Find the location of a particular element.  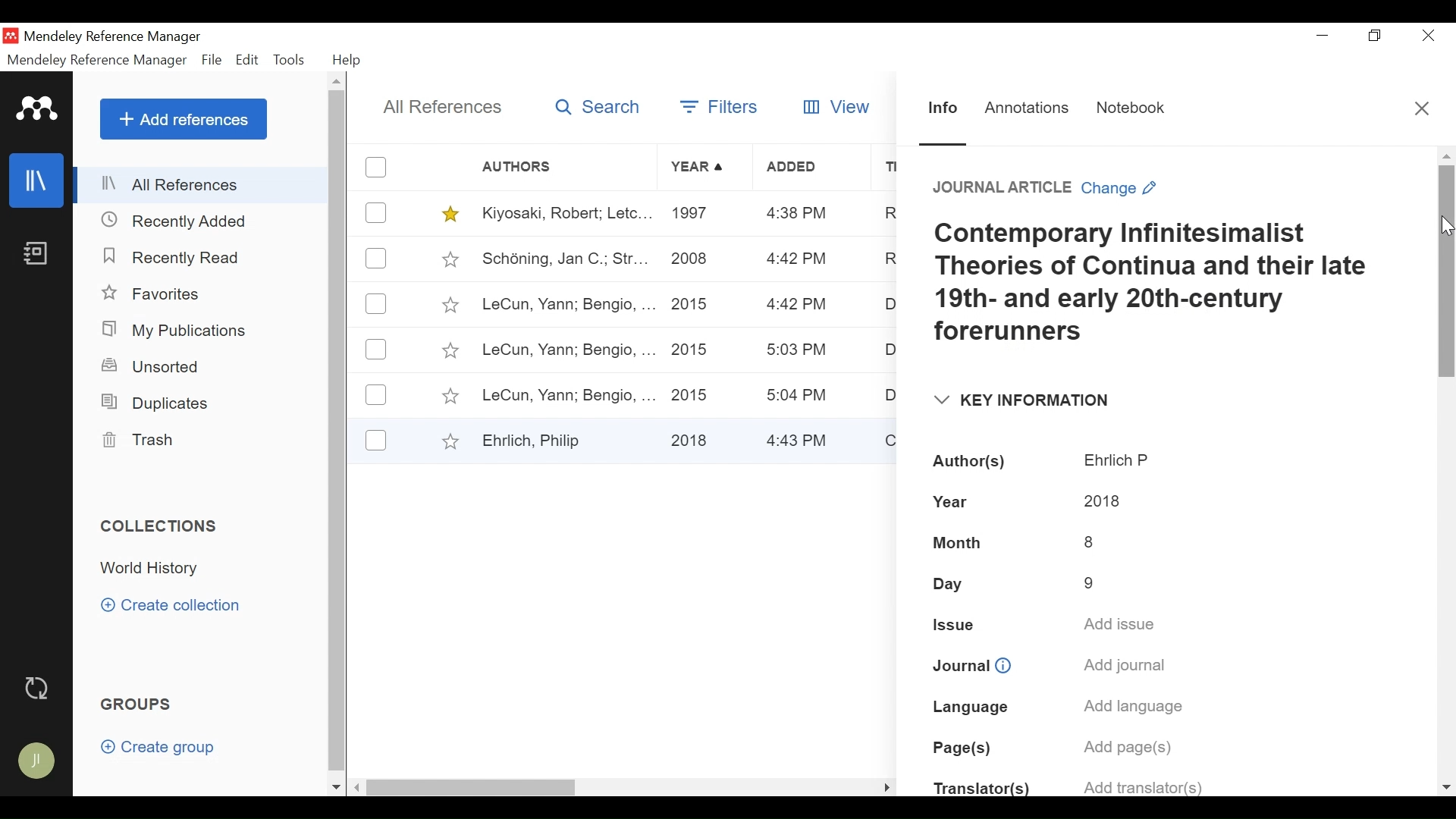

Translator(s) is located at coordinates (981, 791).